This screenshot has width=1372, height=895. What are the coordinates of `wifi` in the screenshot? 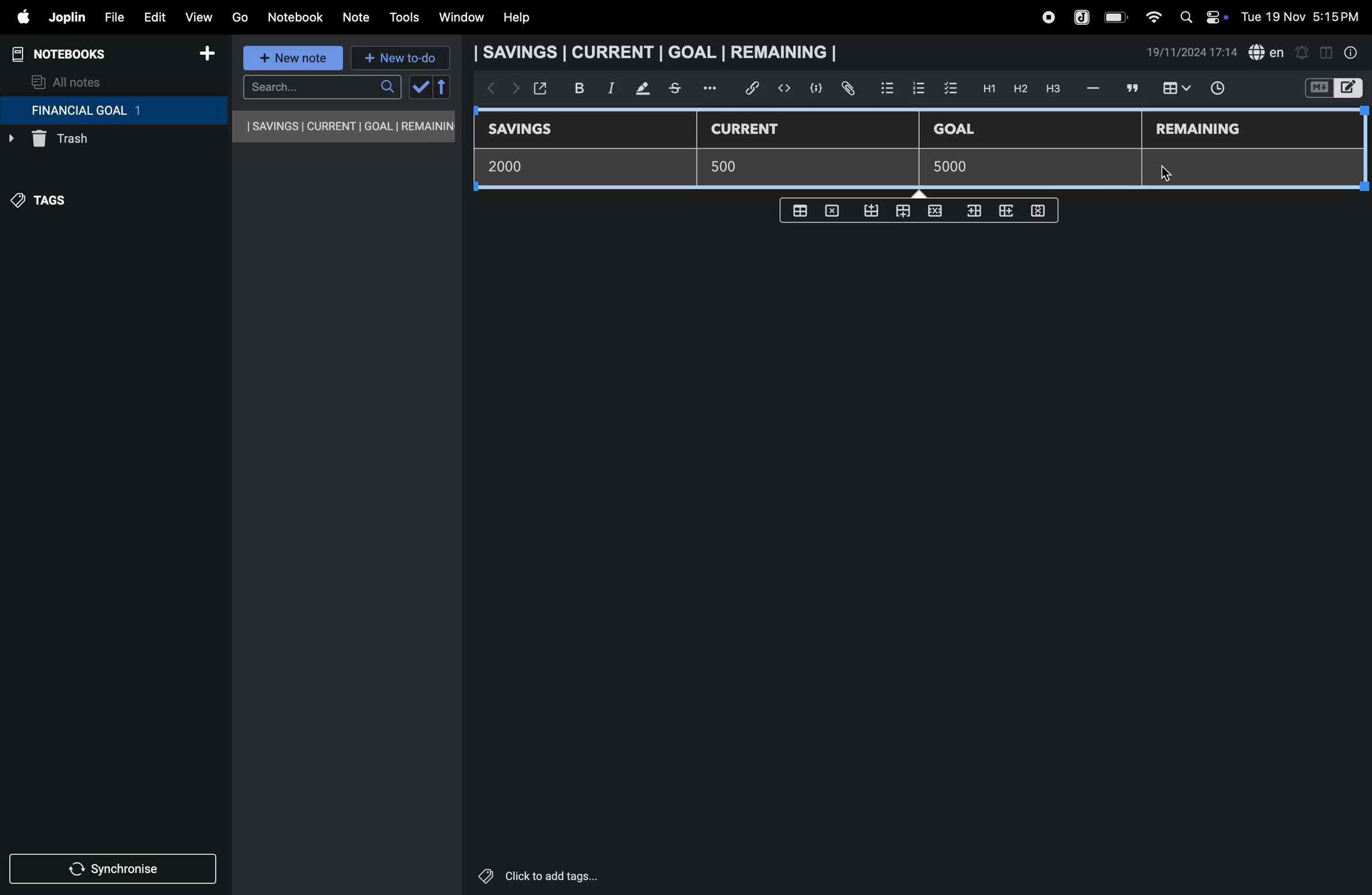 It's located at (1150, 17).